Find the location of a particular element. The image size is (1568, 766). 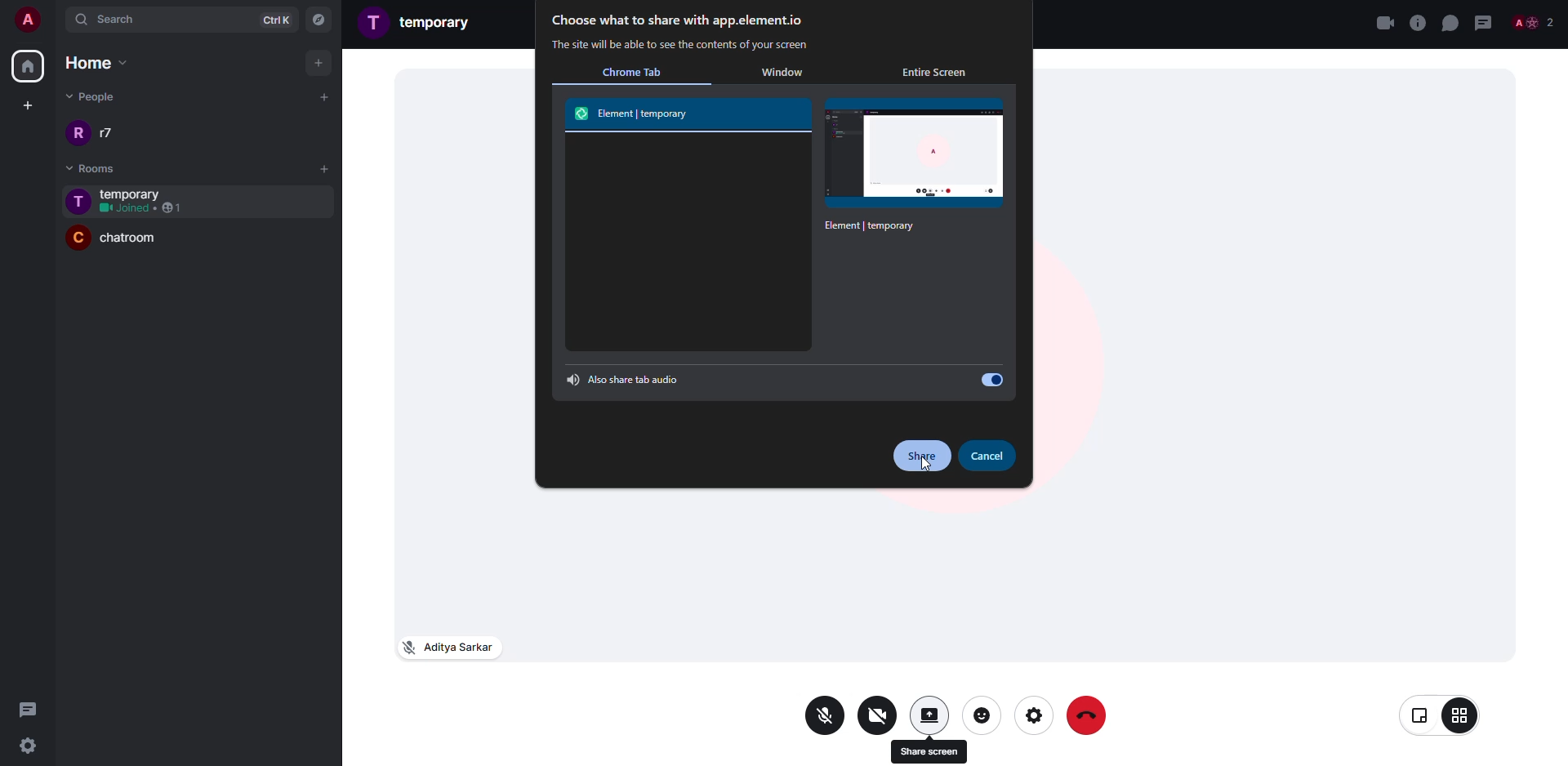

add is located at coordinates (321, 96).